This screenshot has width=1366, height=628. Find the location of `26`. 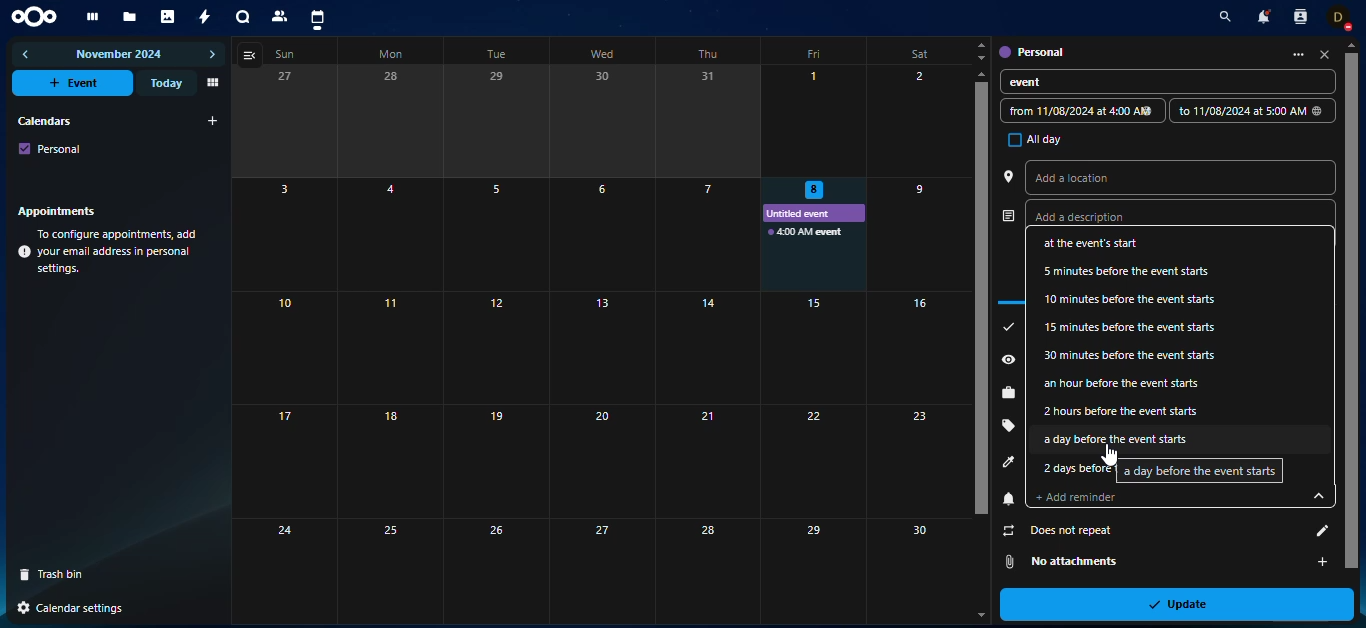

26 is located at coordinates (494, 571).